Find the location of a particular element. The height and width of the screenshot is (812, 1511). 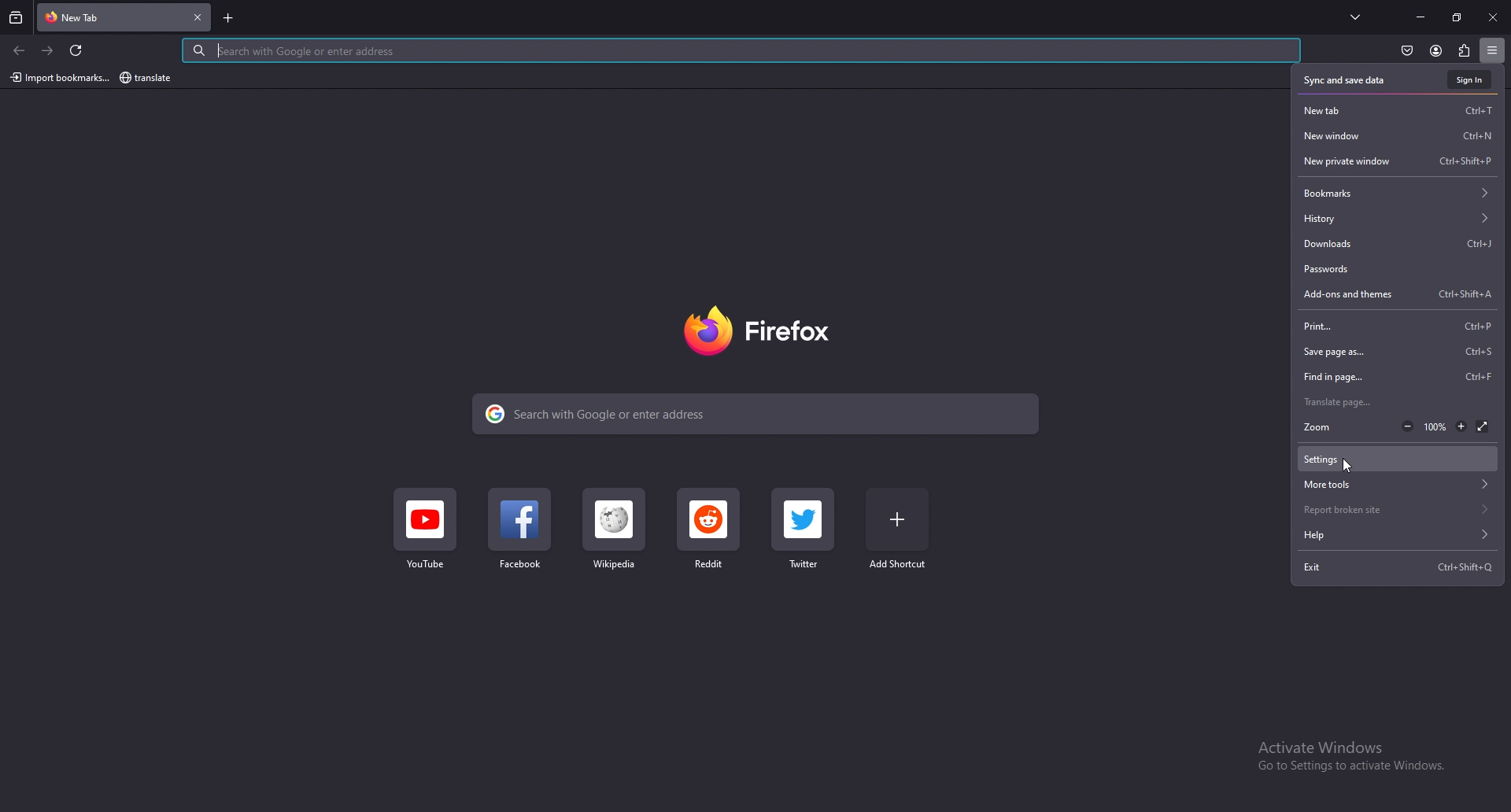

extensions is located at coordinates (1465, 51).